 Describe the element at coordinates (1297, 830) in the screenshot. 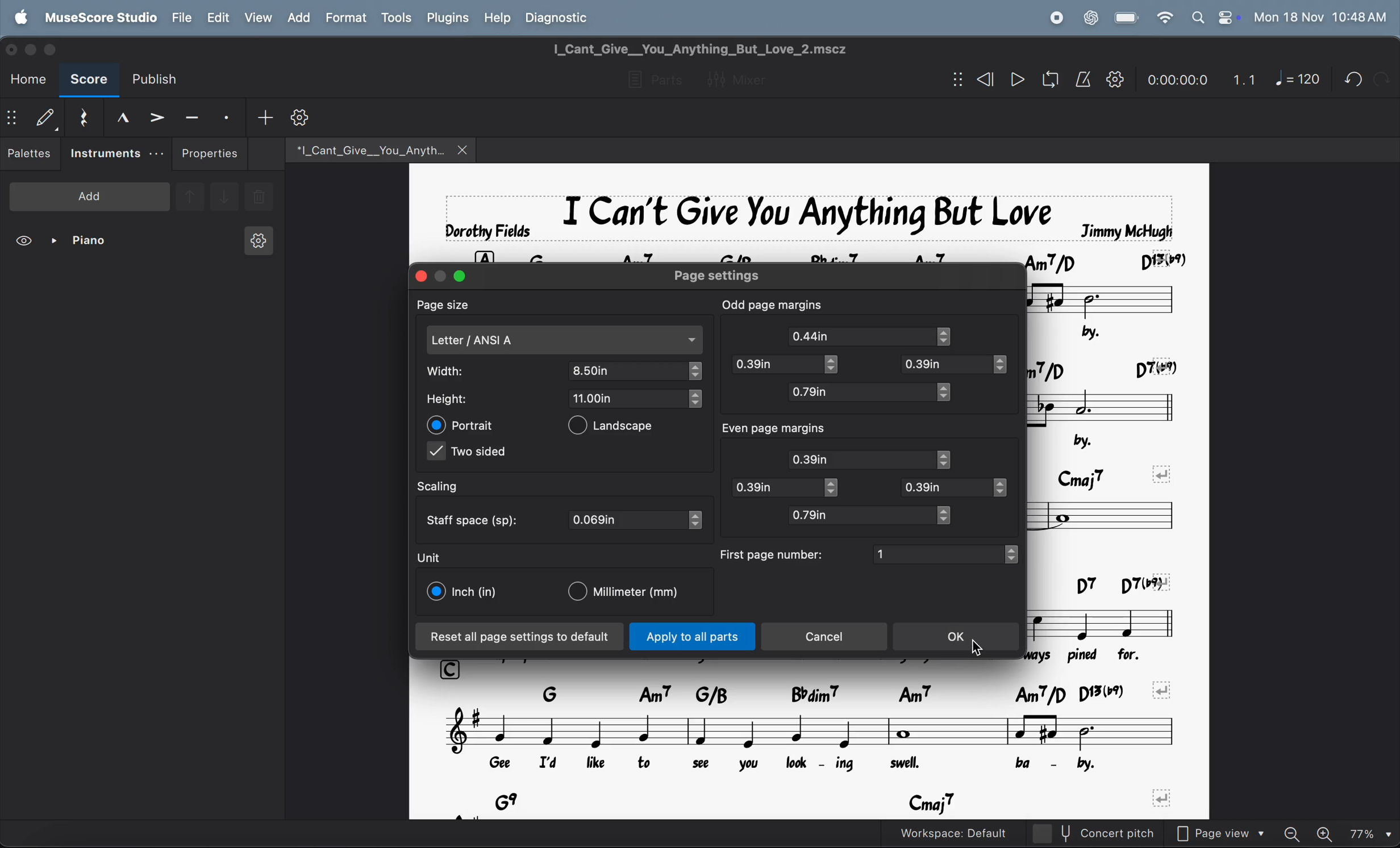

I see `zoom out` at that location.